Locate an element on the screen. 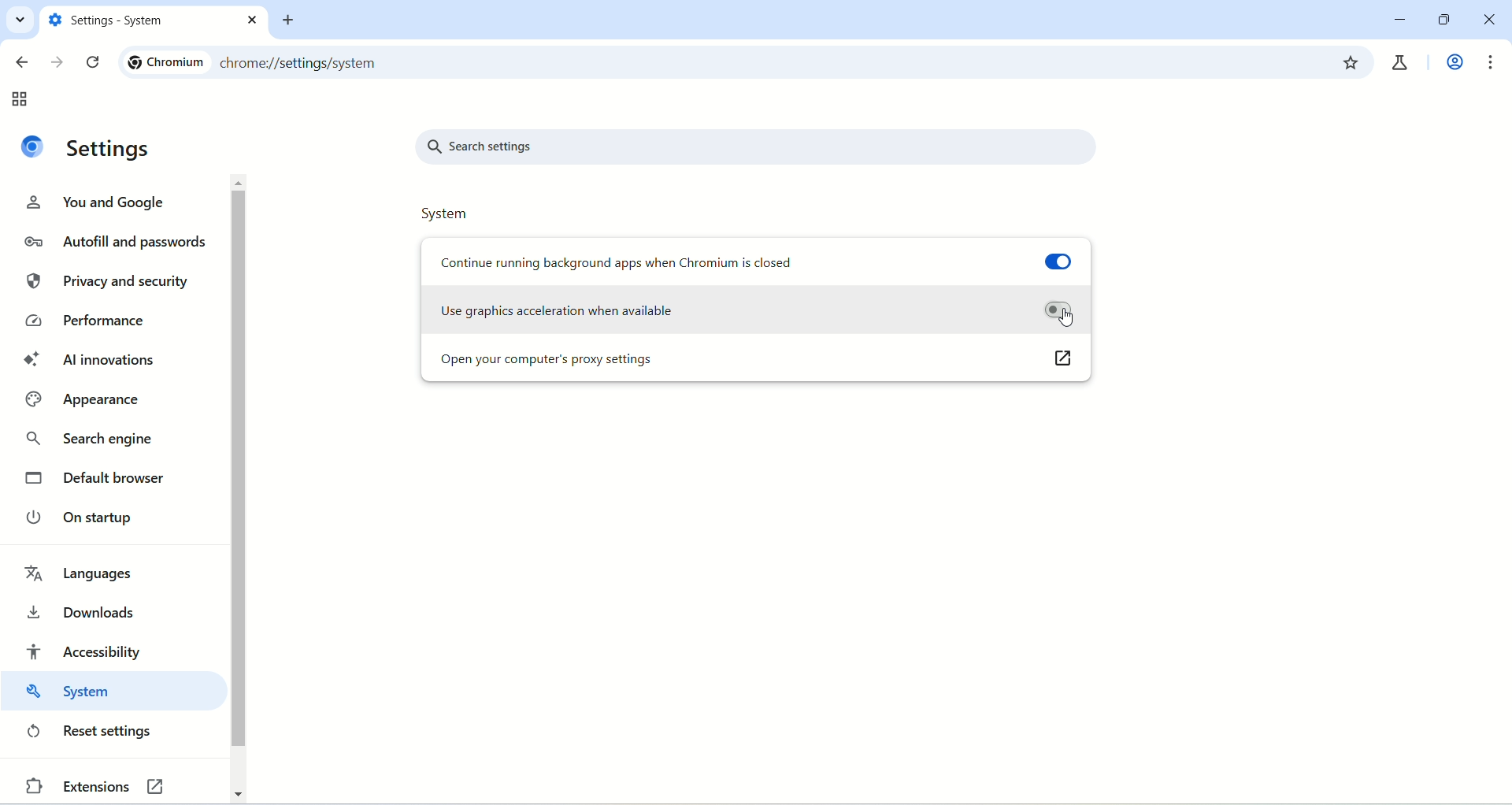  system is located at coordinates (446, 216).